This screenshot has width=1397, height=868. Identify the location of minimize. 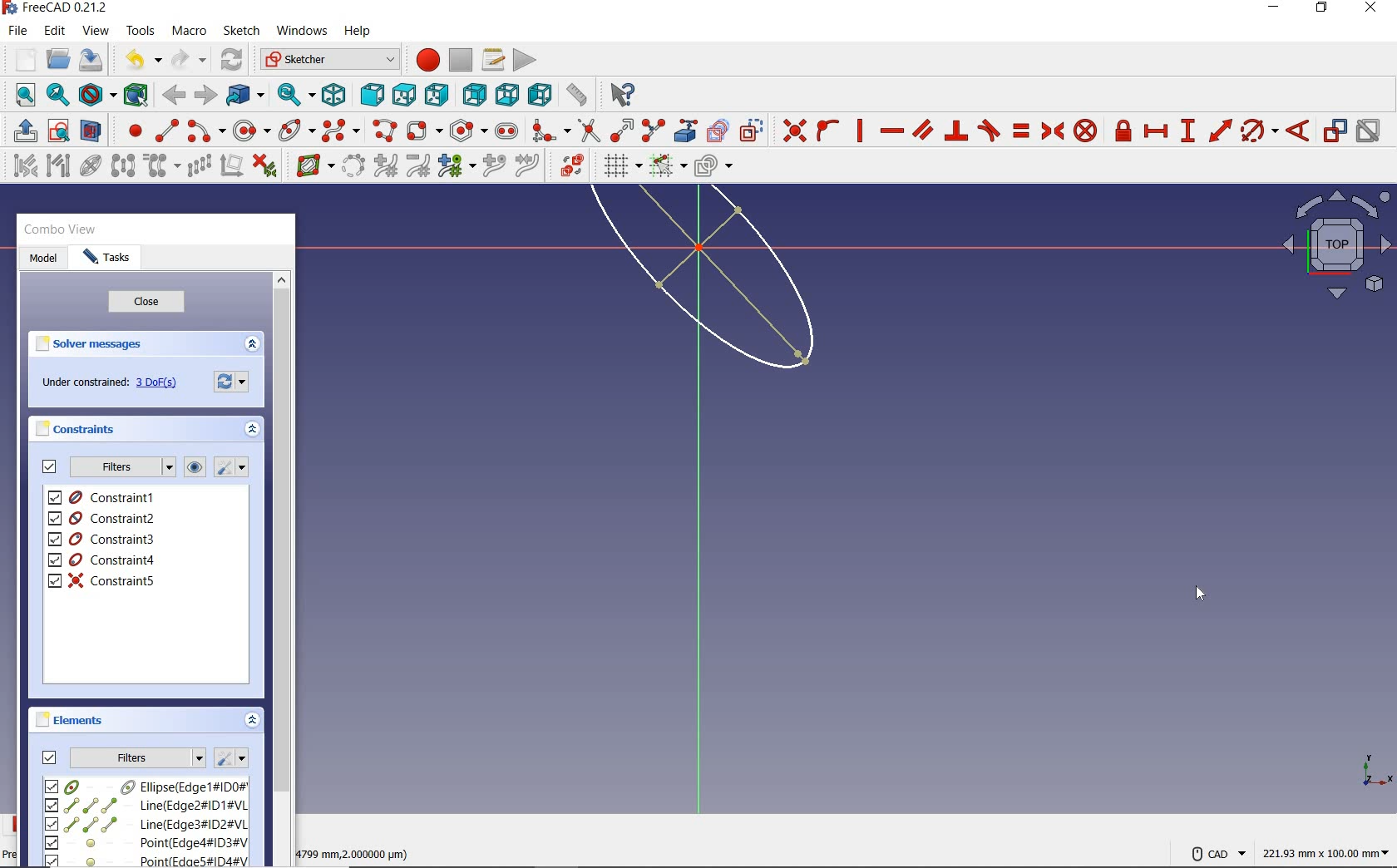
(1273, 7).